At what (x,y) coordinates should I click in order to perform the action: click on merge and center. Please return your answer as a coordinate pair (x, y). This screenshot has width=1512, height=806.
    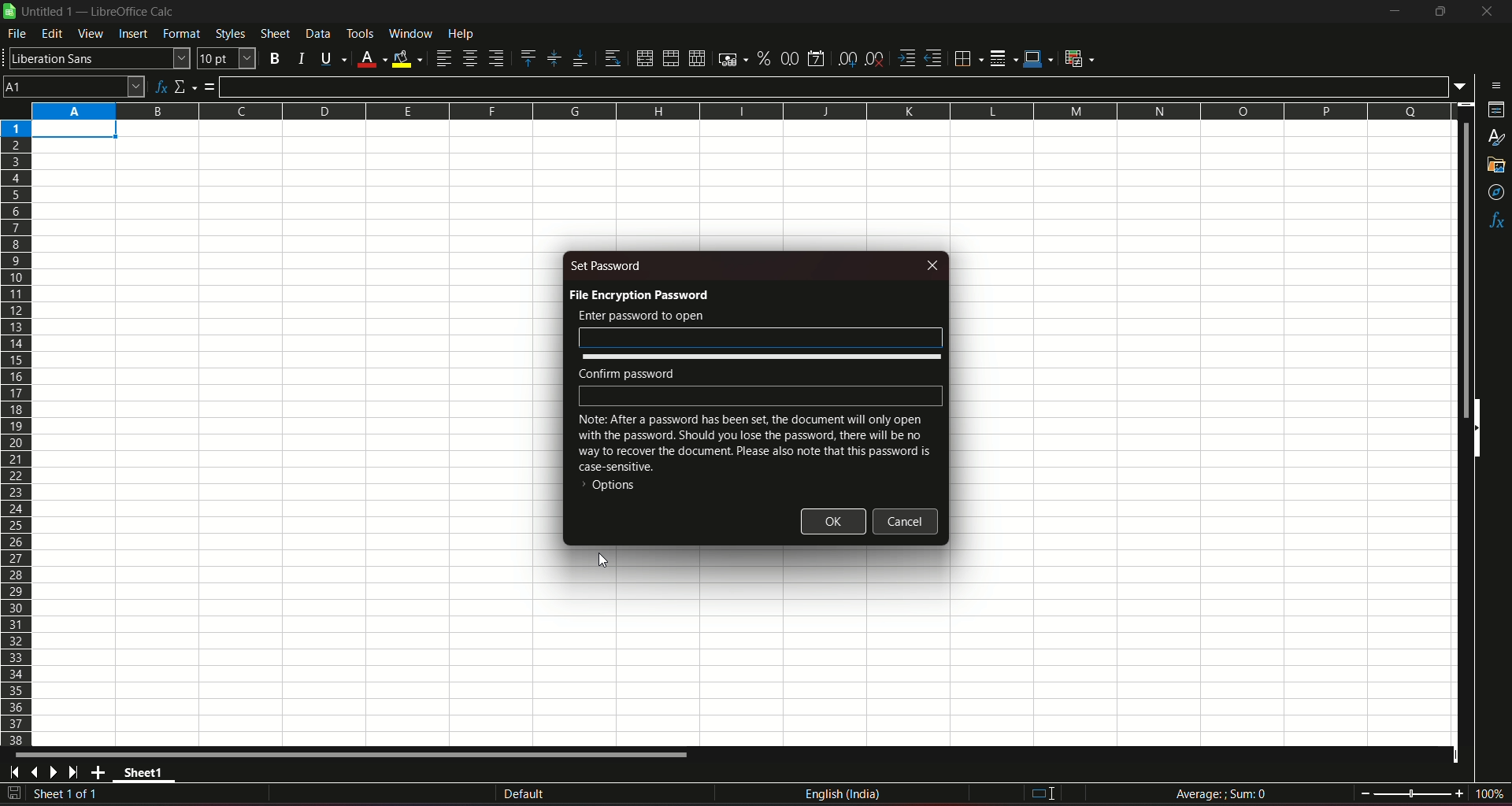
    Looking at the image, I should click on (643, 57).